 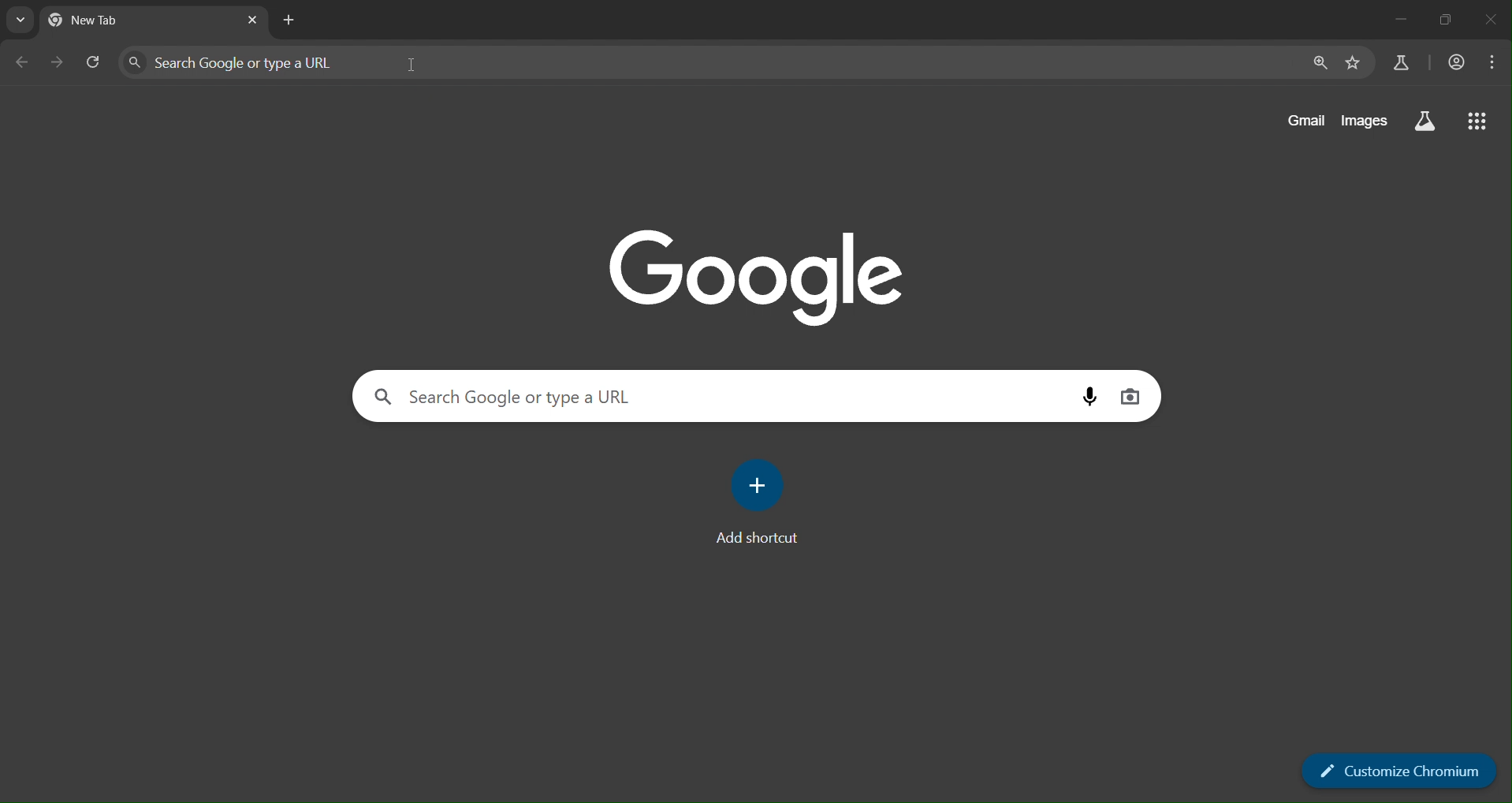 What do you see at coordinates (1404, 62) in the screenshot?
I see `search labs` at bounding box center [1404, 62].